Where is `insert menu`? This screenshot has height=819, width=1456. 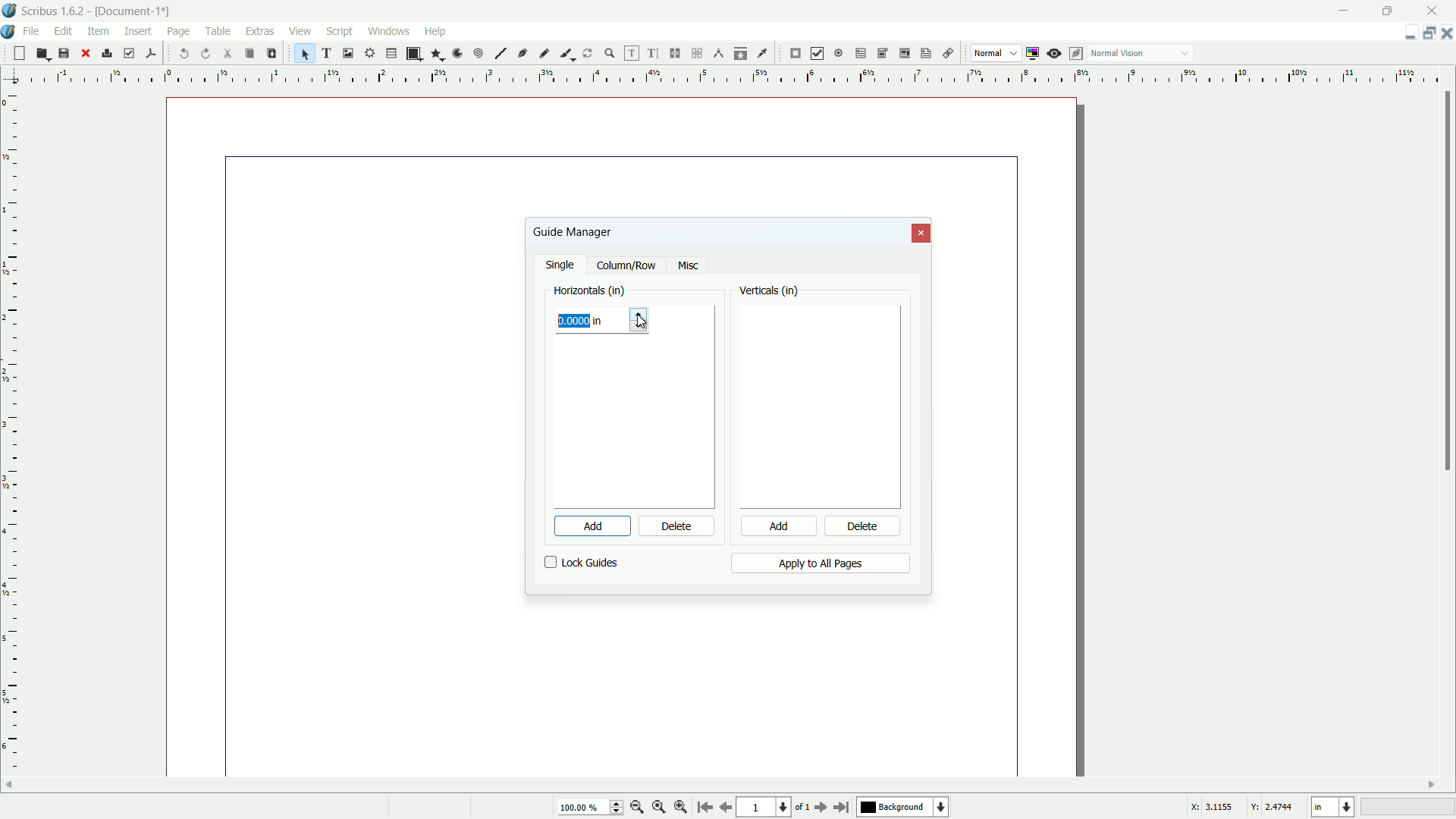 insert menu is located at coordinates (139, 30).